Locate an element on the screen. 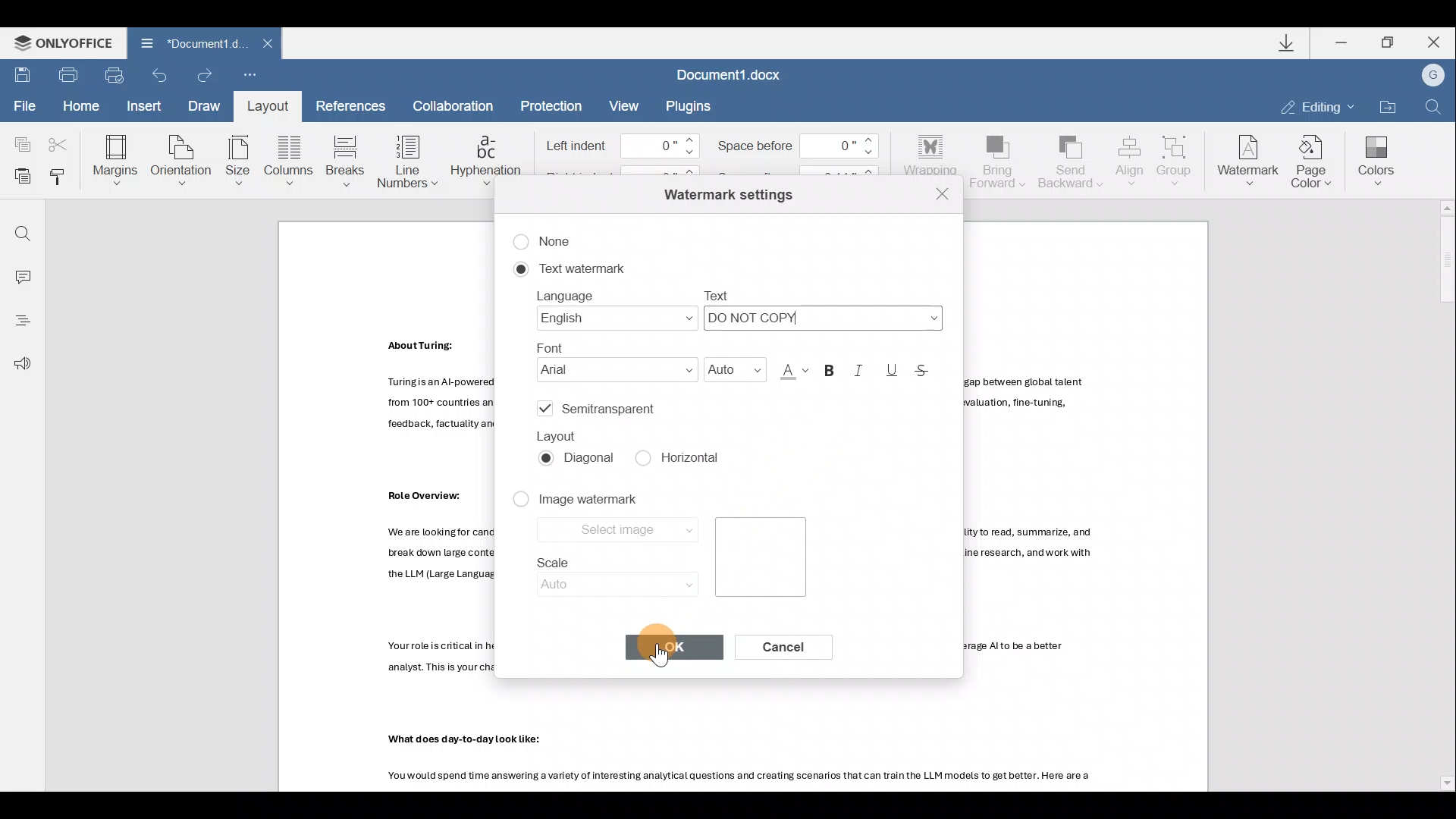 The image size is (1456, 819). Copy style is located at coordinates (62, 179).